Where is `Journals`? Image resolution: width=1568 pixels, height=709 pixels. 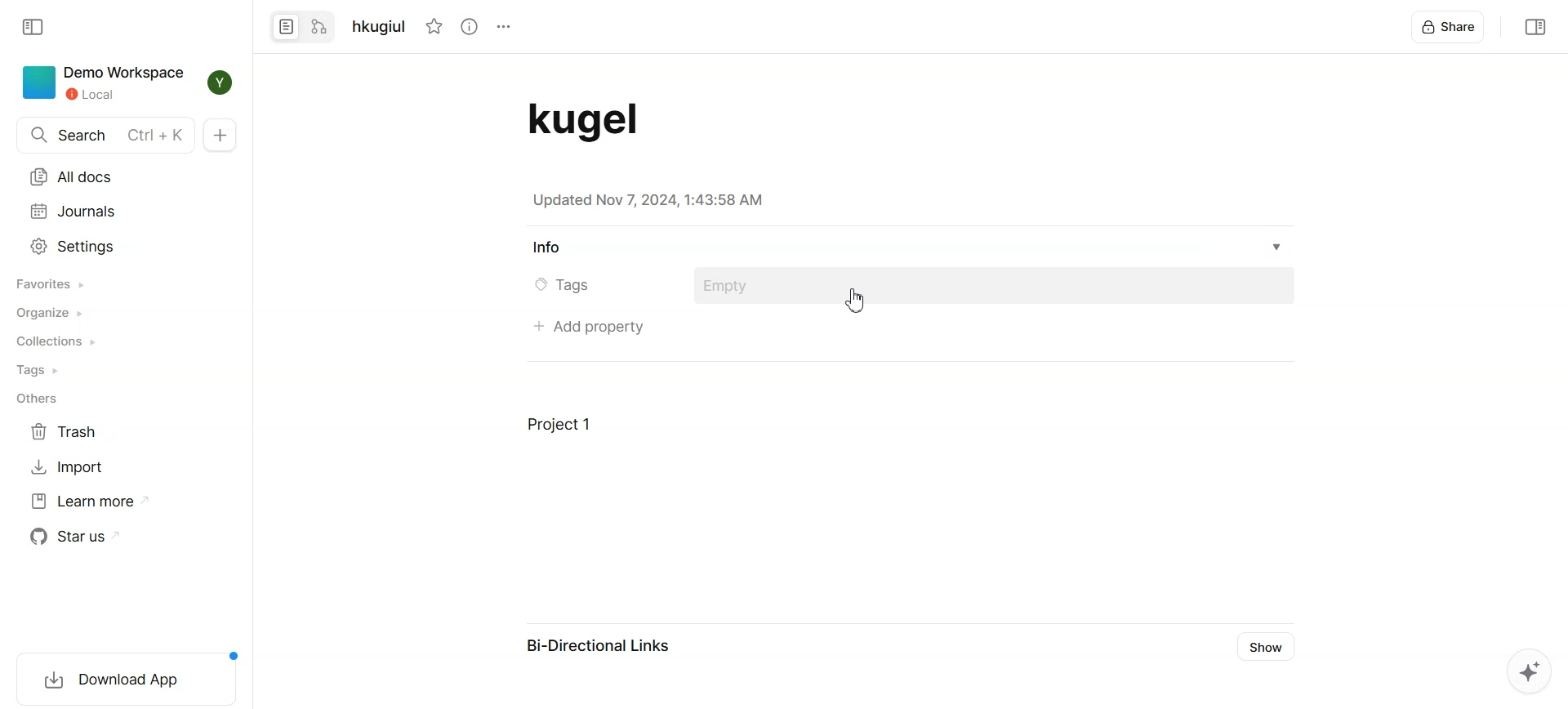 Journals is located at coordinates (75, 212).